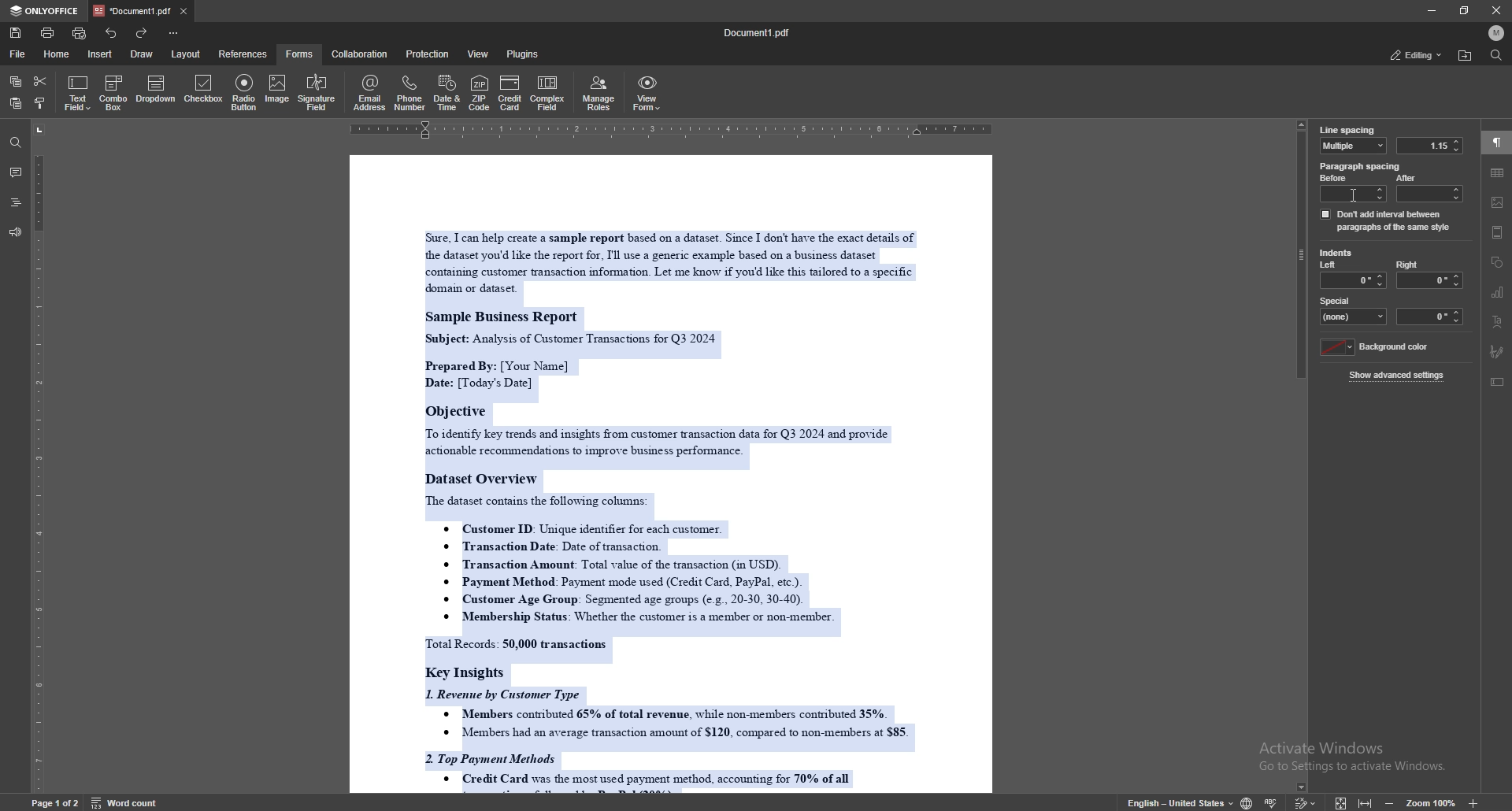 The height and width of the screenshot is (811, 1512). Describe the element at coordinates (429, 54) in the screenshot. I see `protection` at that location.